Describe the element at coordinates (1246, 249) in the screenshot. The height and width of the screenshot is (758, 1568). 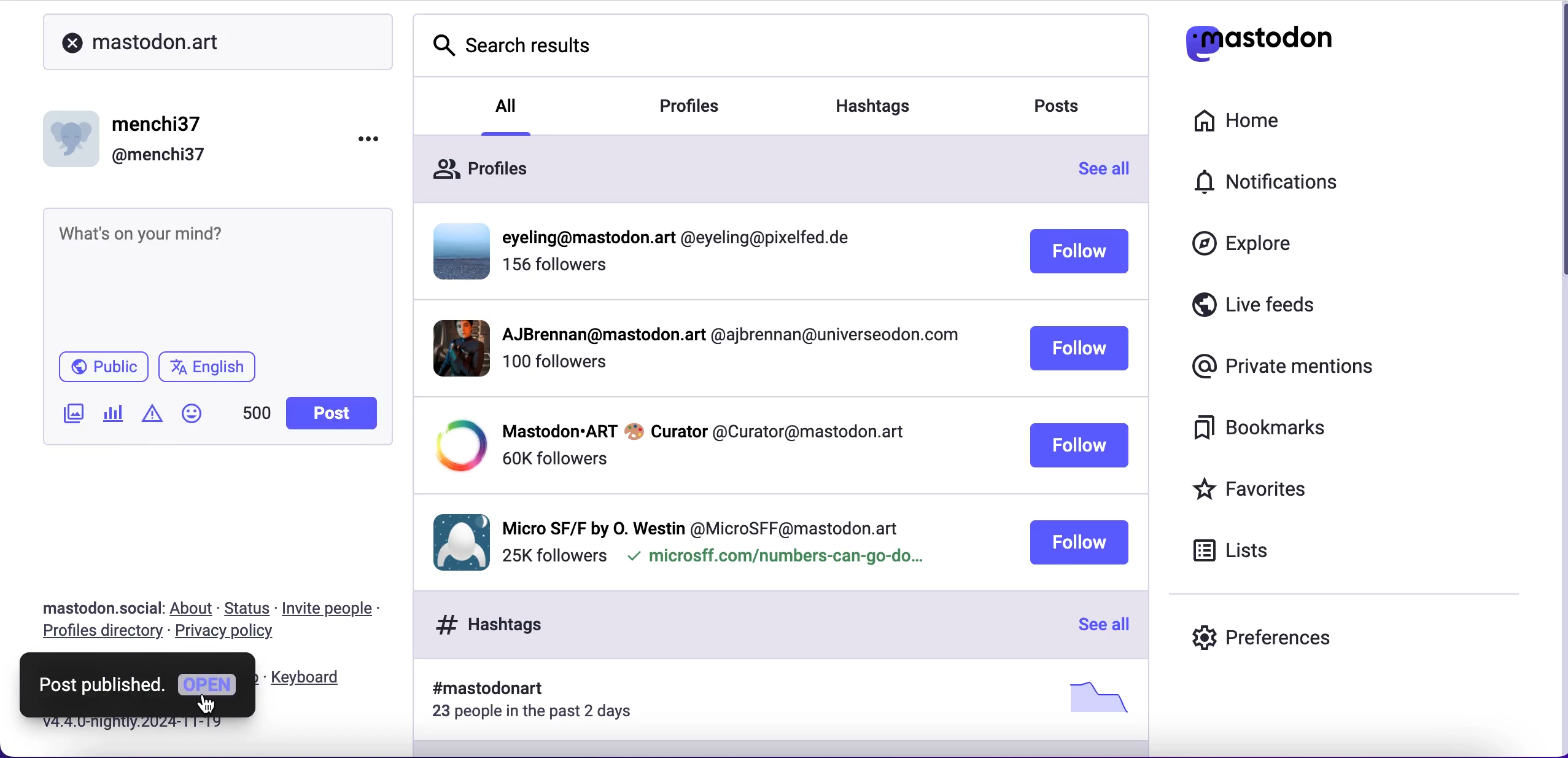
I see `explore` at that location.